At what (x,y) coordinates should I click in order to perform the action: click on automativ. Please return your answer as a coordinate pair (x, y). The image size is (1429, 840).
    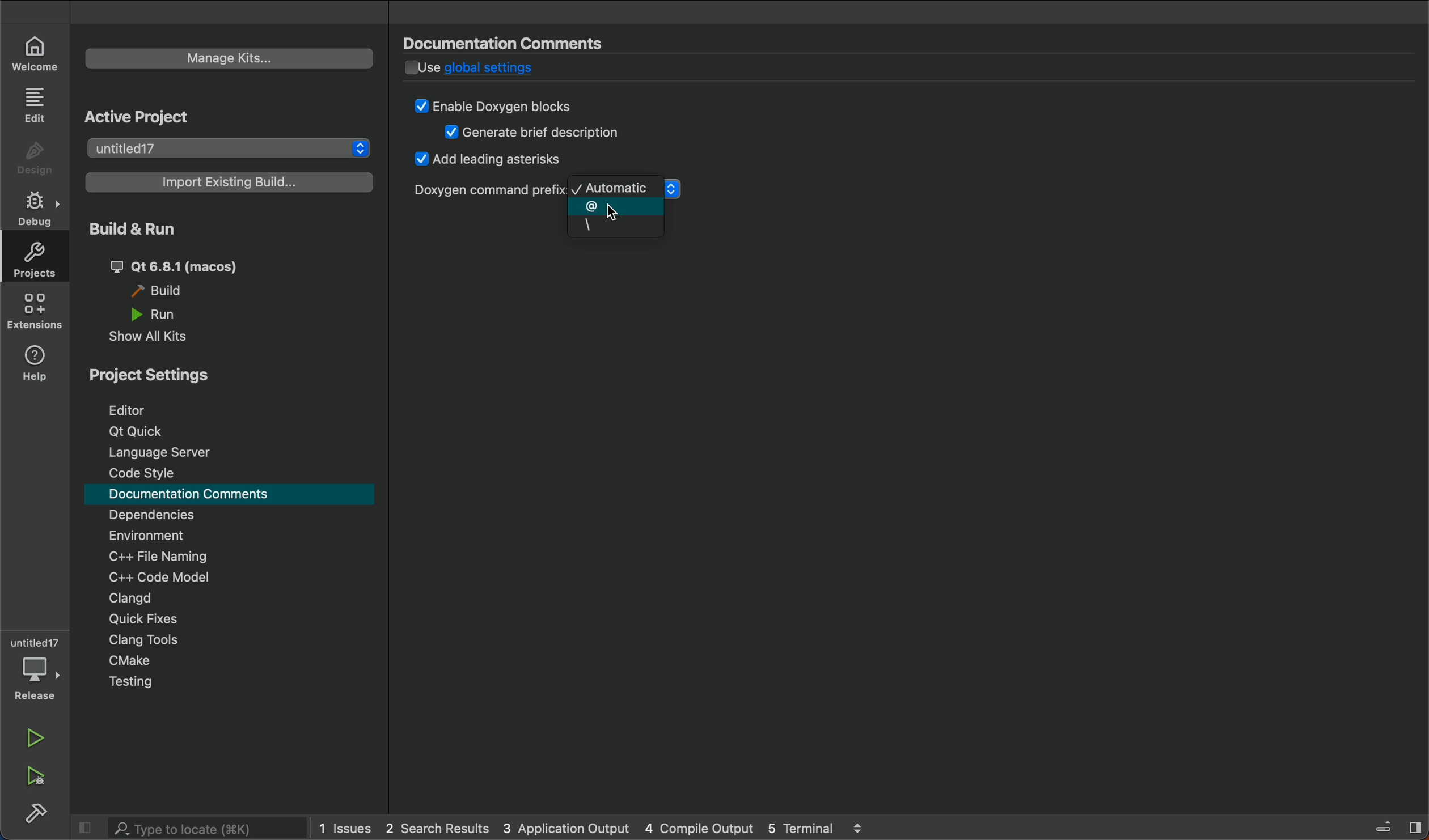
    Looking at the image, I should click on (616, 190).